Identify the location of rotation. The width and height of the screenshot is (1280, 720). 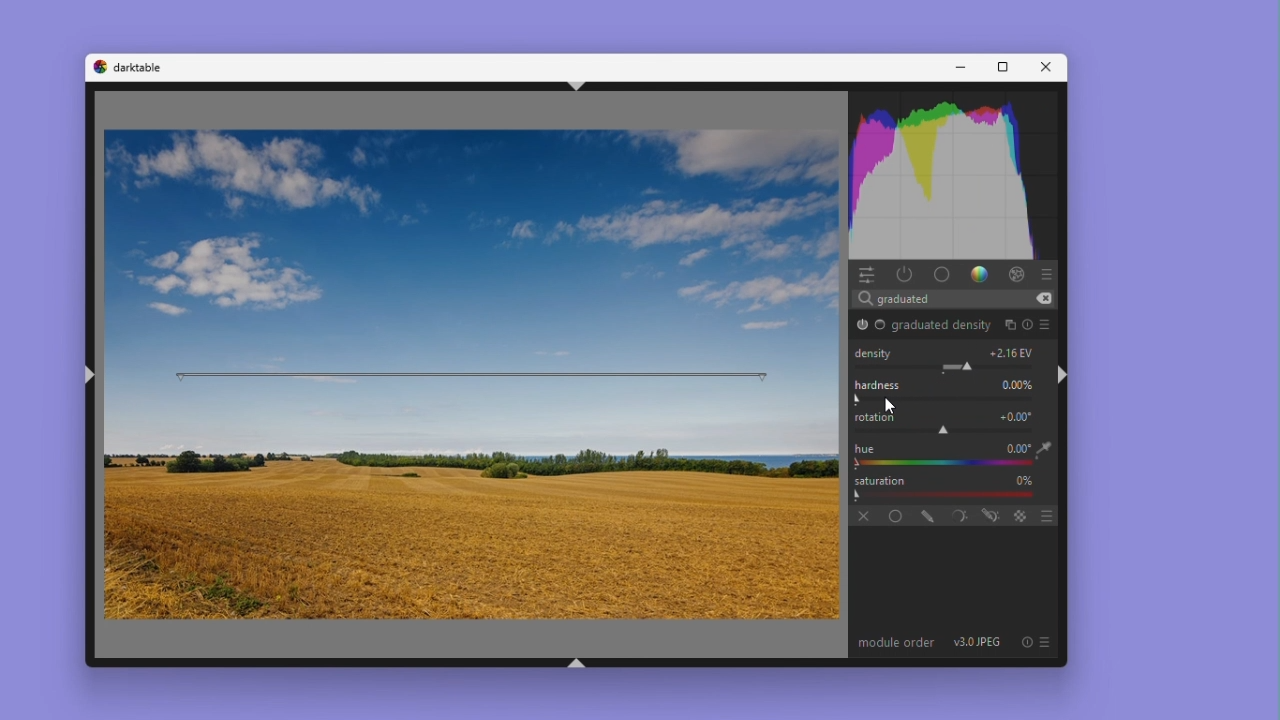
(877, 417).